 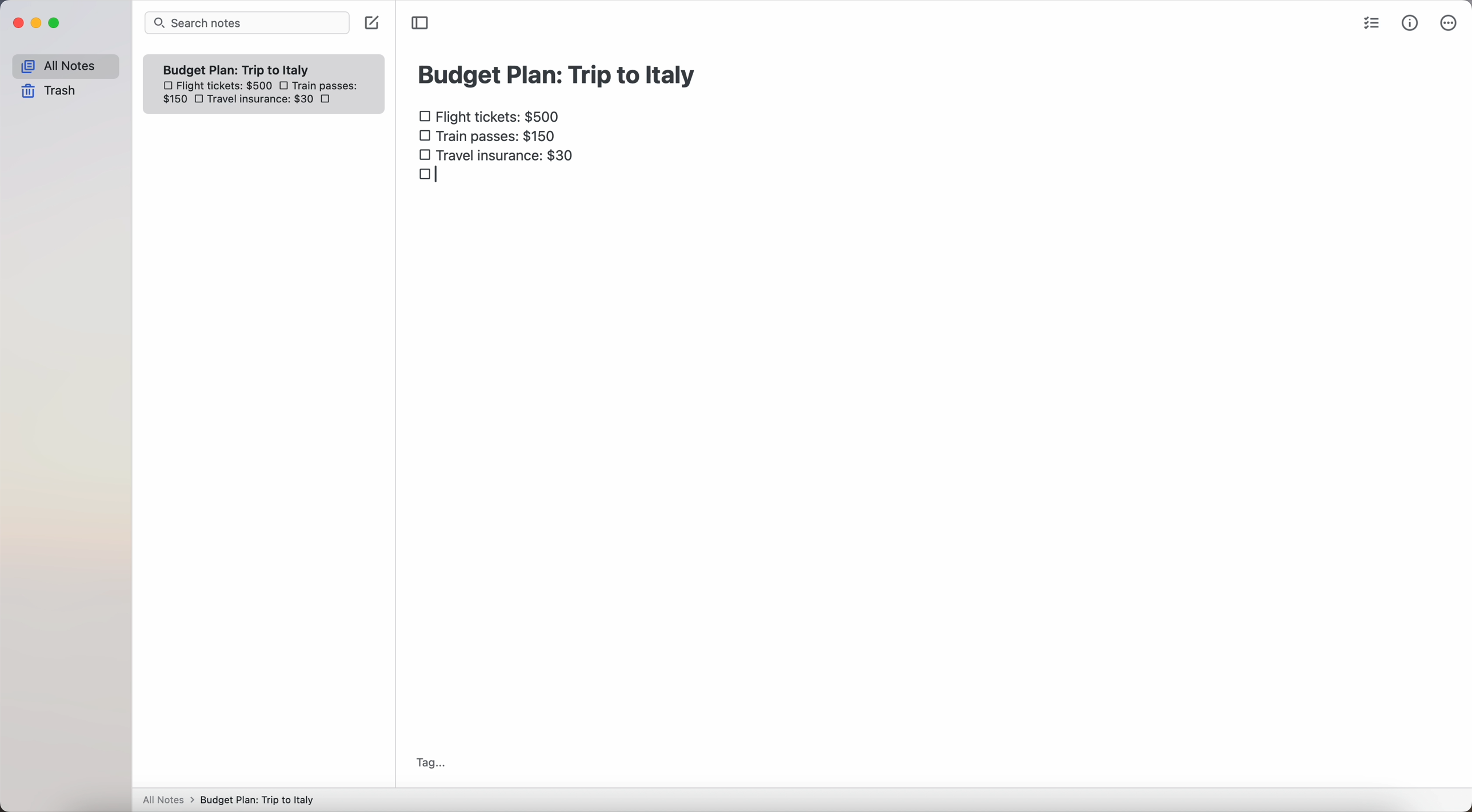 I want to click on minimize, so click(x=39, y=23).